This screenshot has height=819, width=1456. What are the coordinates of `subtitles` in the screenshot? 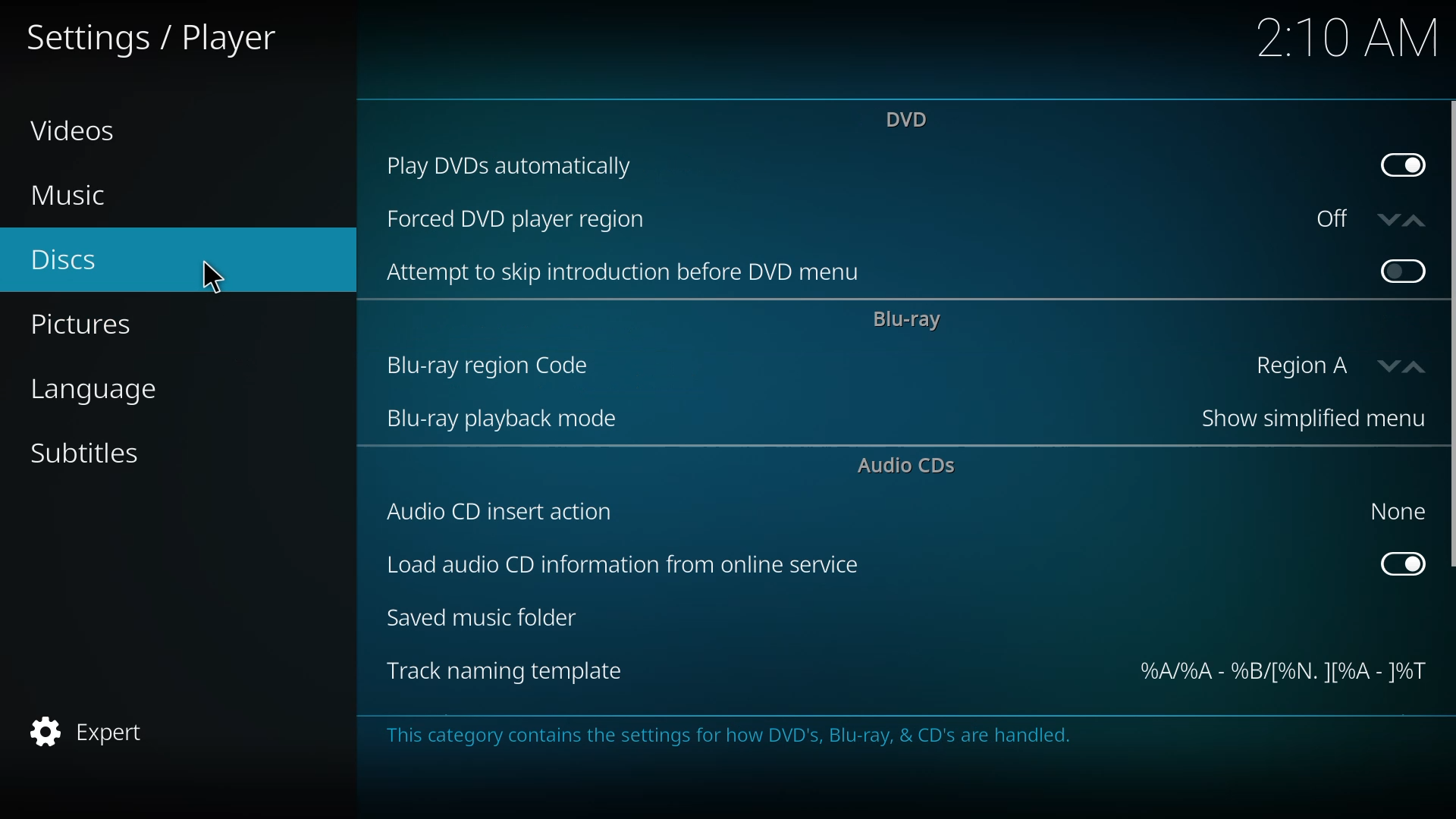 It's located at (89, 457).